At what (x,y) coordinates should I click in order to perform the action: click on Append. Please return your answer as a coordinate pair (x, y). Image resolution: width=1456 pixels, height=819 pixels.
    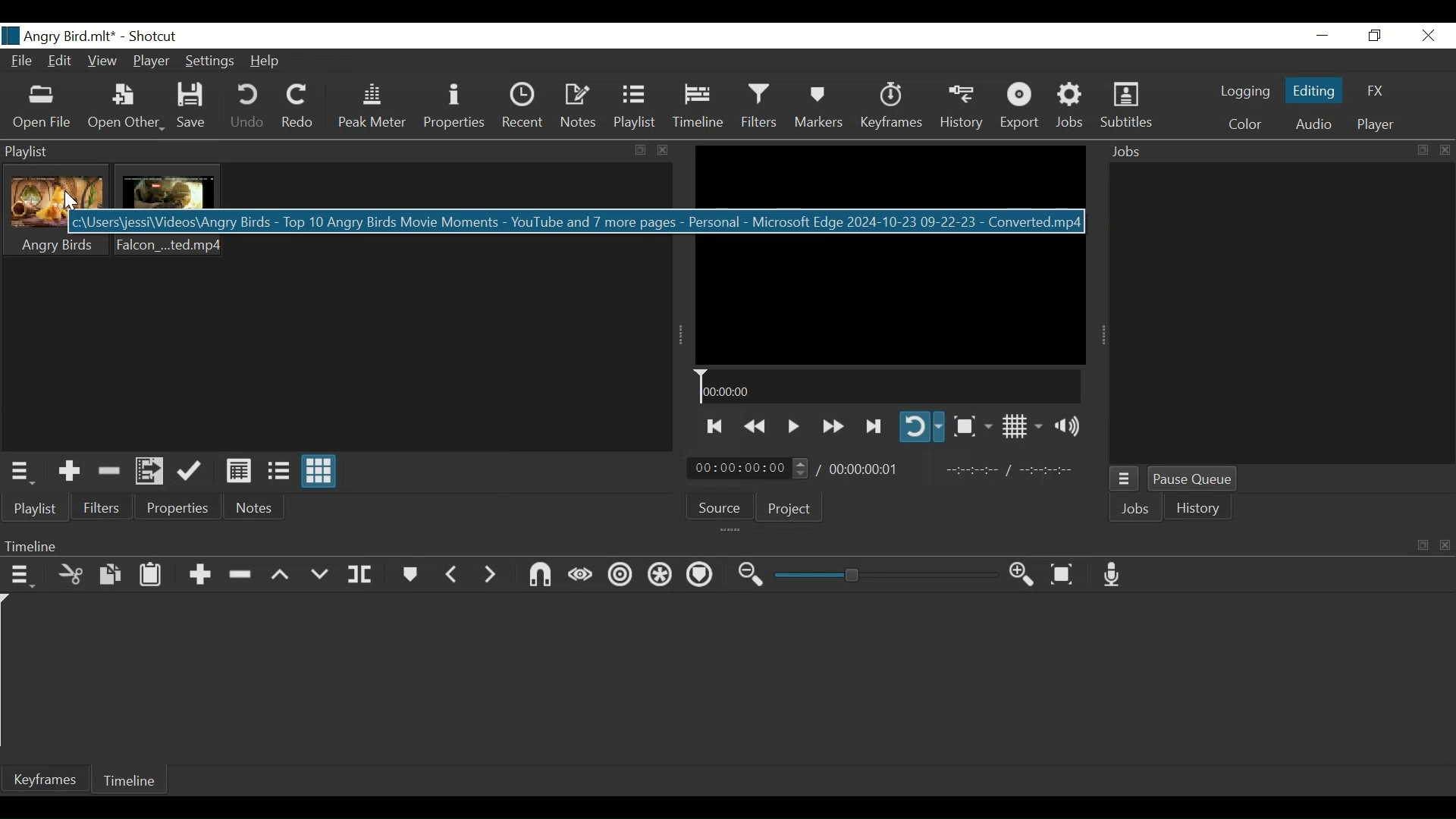
    Looking at the image, I should click on (201, 573).